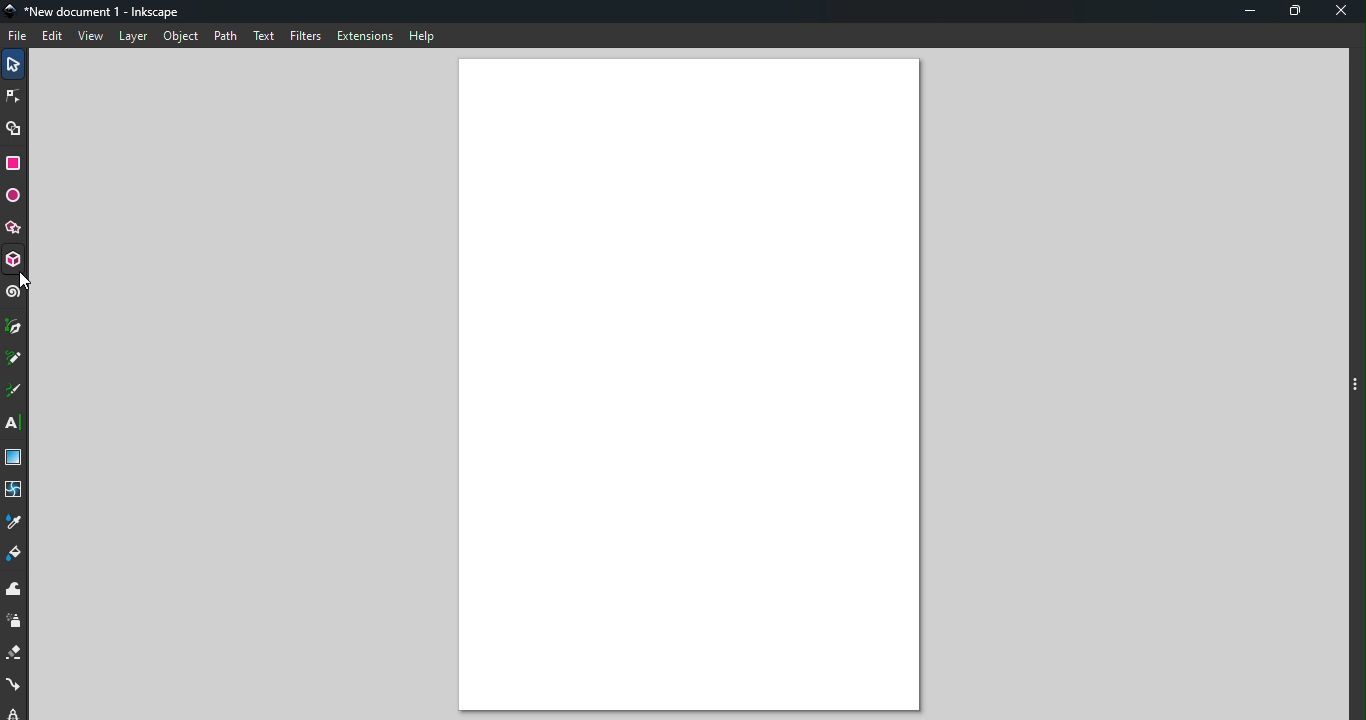 The height and width of the screenshot is (720, 1366). I want to click on Eraser tool, so click(15, 655).